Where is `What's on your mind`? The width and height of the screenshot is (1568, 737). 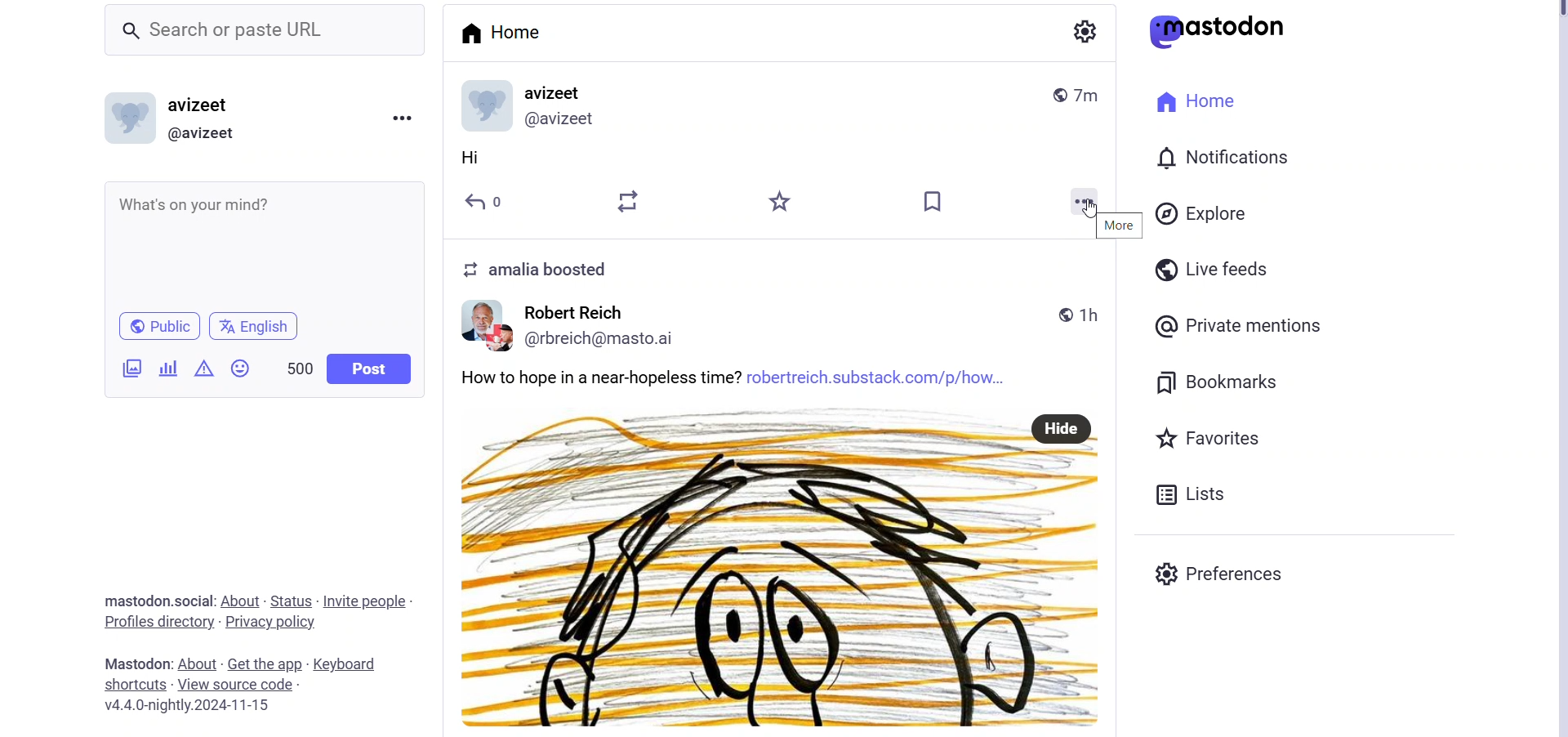
What's on your mind is located at coordinates (263, 246).